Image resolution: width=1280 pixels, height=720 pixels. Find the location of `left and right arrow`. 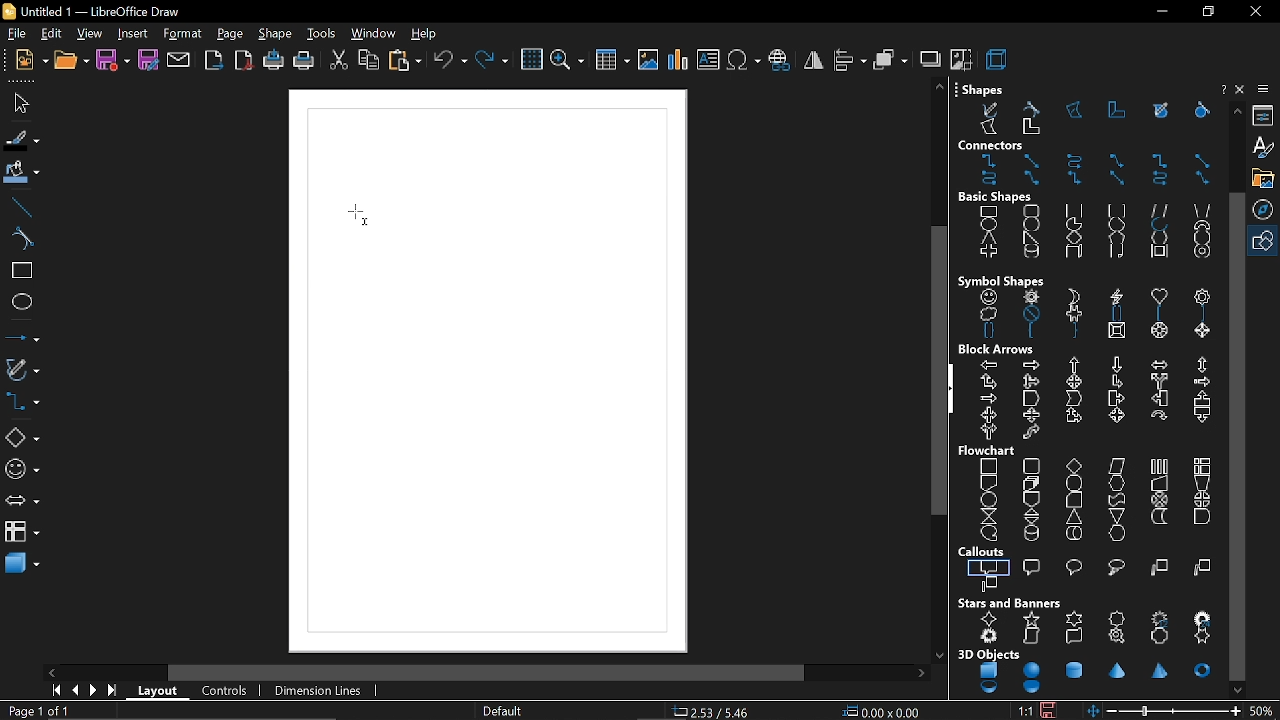

left and right arrow is located at coordinates (1157, 364).